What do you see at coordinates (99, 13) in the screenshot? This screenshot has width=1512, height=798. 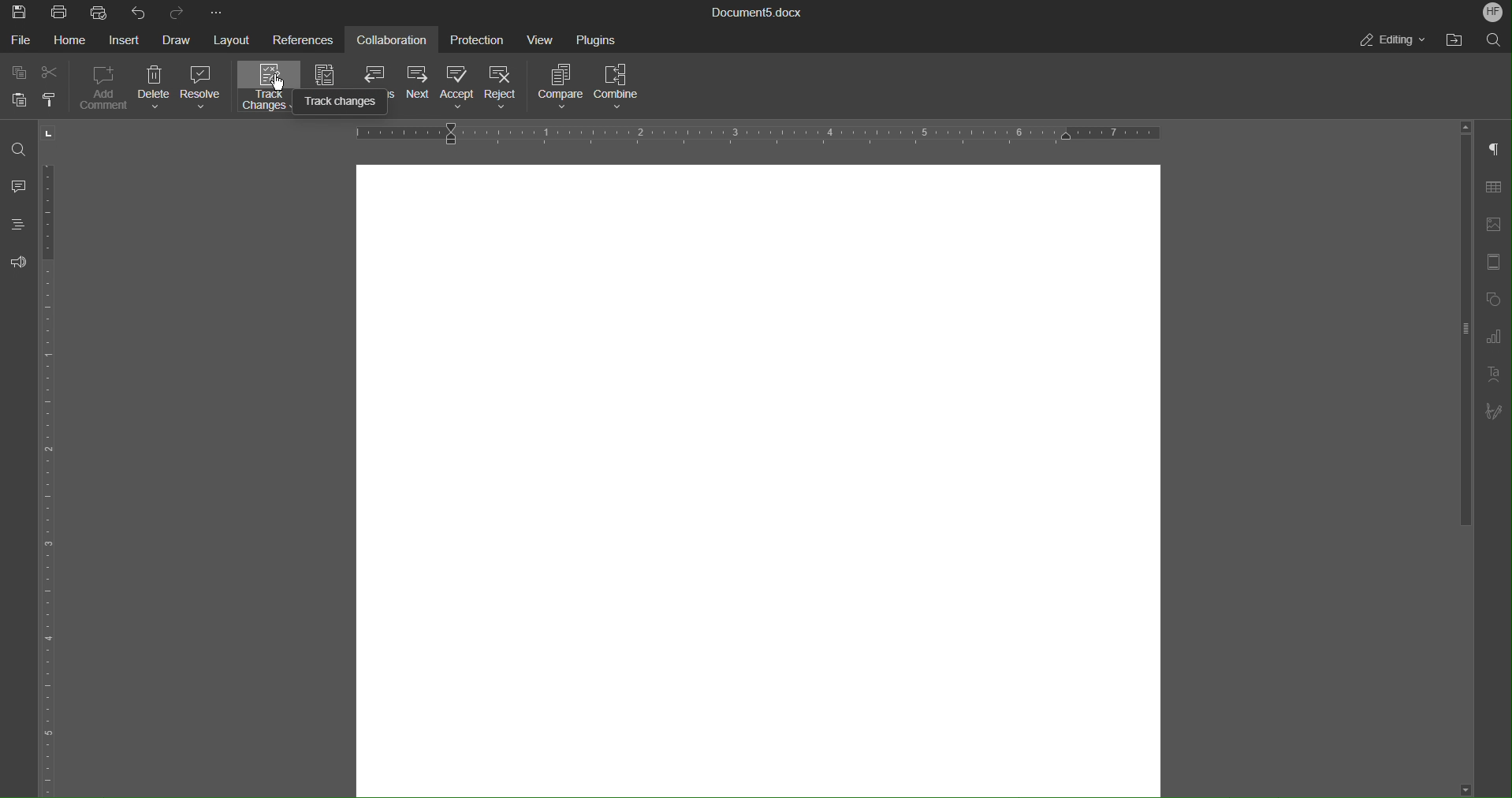 I see `Quick Print` at bounding box center [99, 13].